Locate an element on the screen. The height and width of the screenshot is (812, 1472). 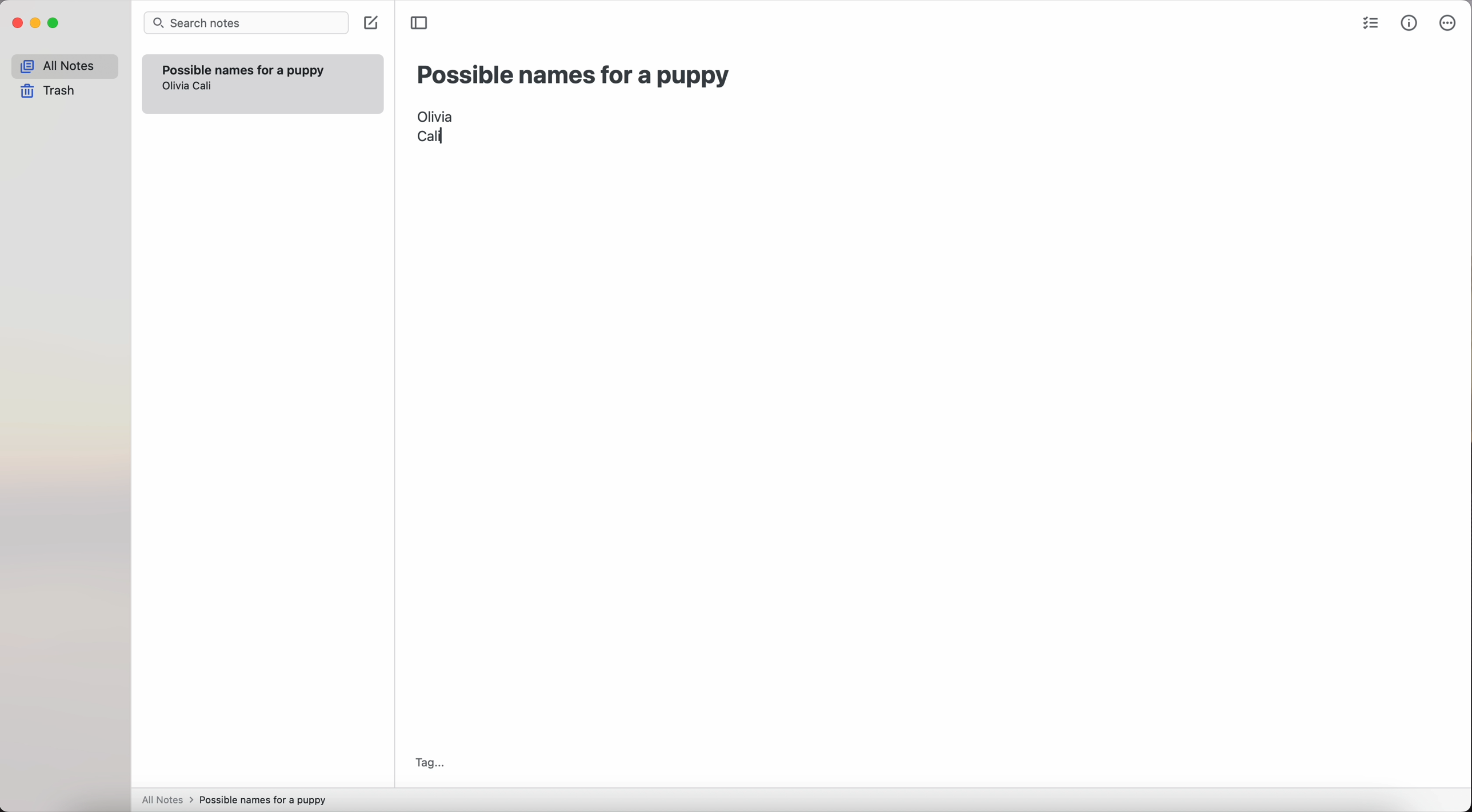
trash is located at coordinates (51, 91).